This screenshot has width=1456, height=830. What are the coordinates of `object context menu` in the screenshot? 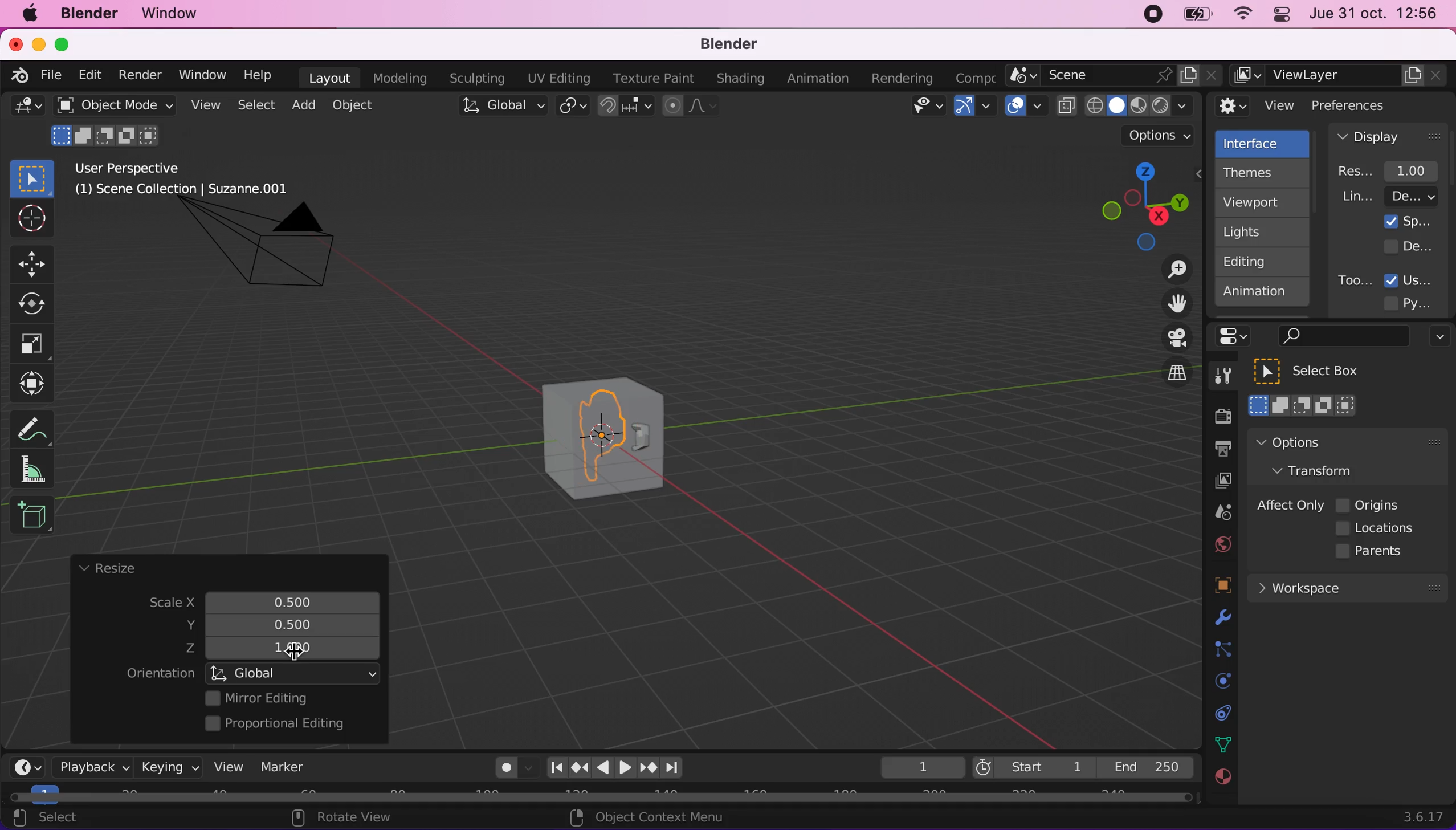 It's located at (651, 817).